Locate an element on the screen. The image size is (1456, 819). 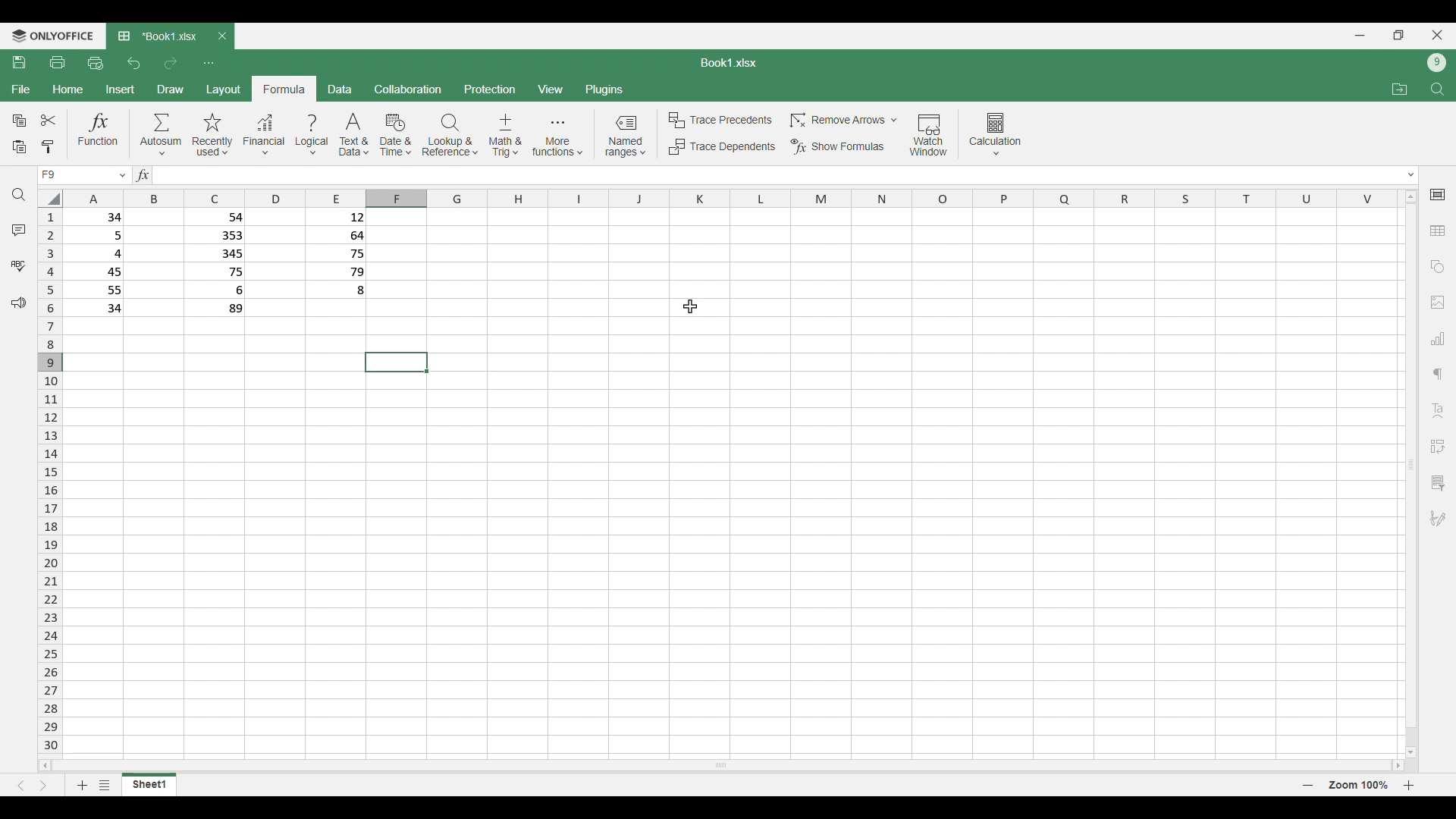
Filled cells is located at coordinates (99, 262).